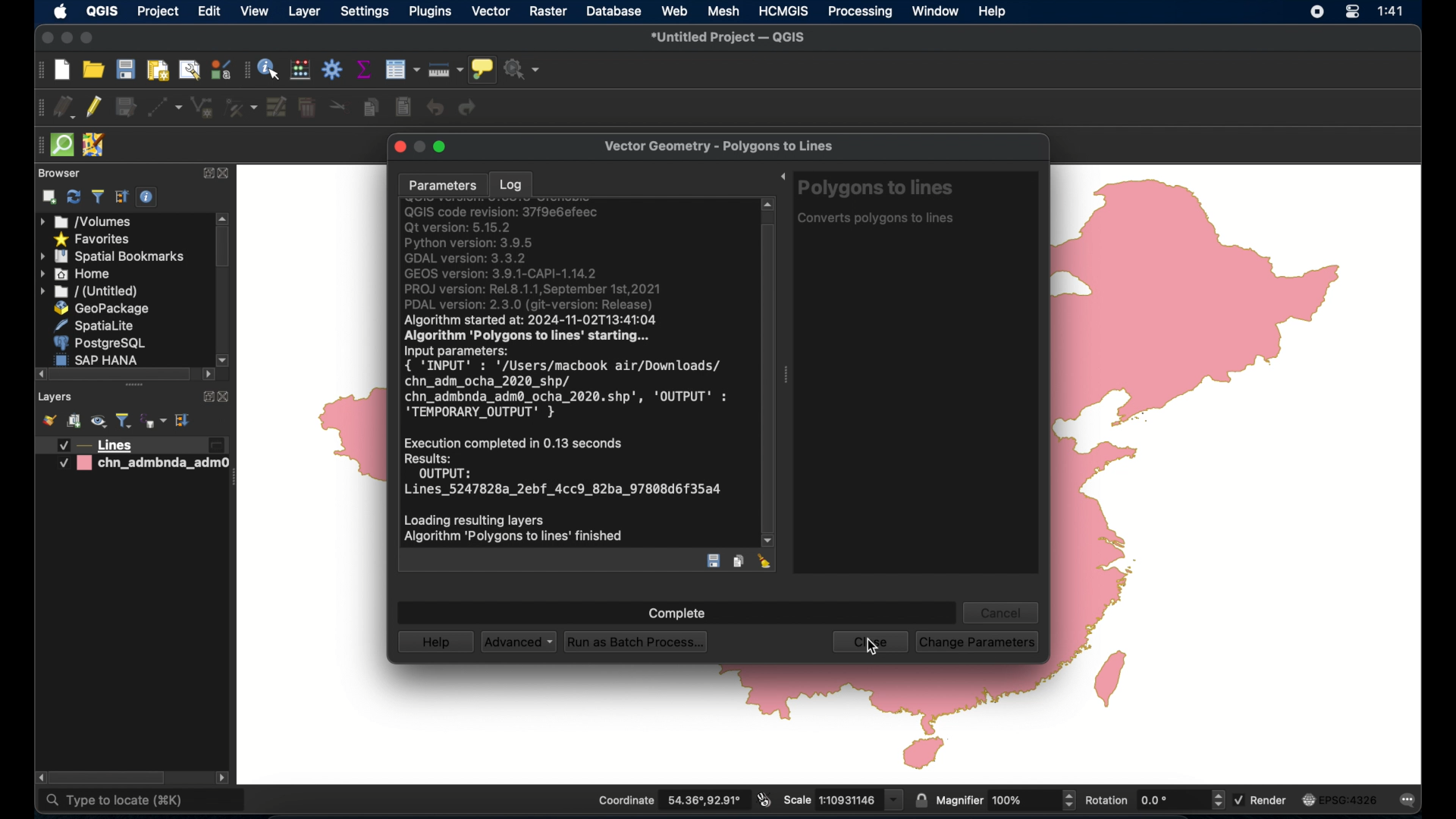 This screenshot has width=1456, height=819. I want to click on drag handles, so click(136, 387).